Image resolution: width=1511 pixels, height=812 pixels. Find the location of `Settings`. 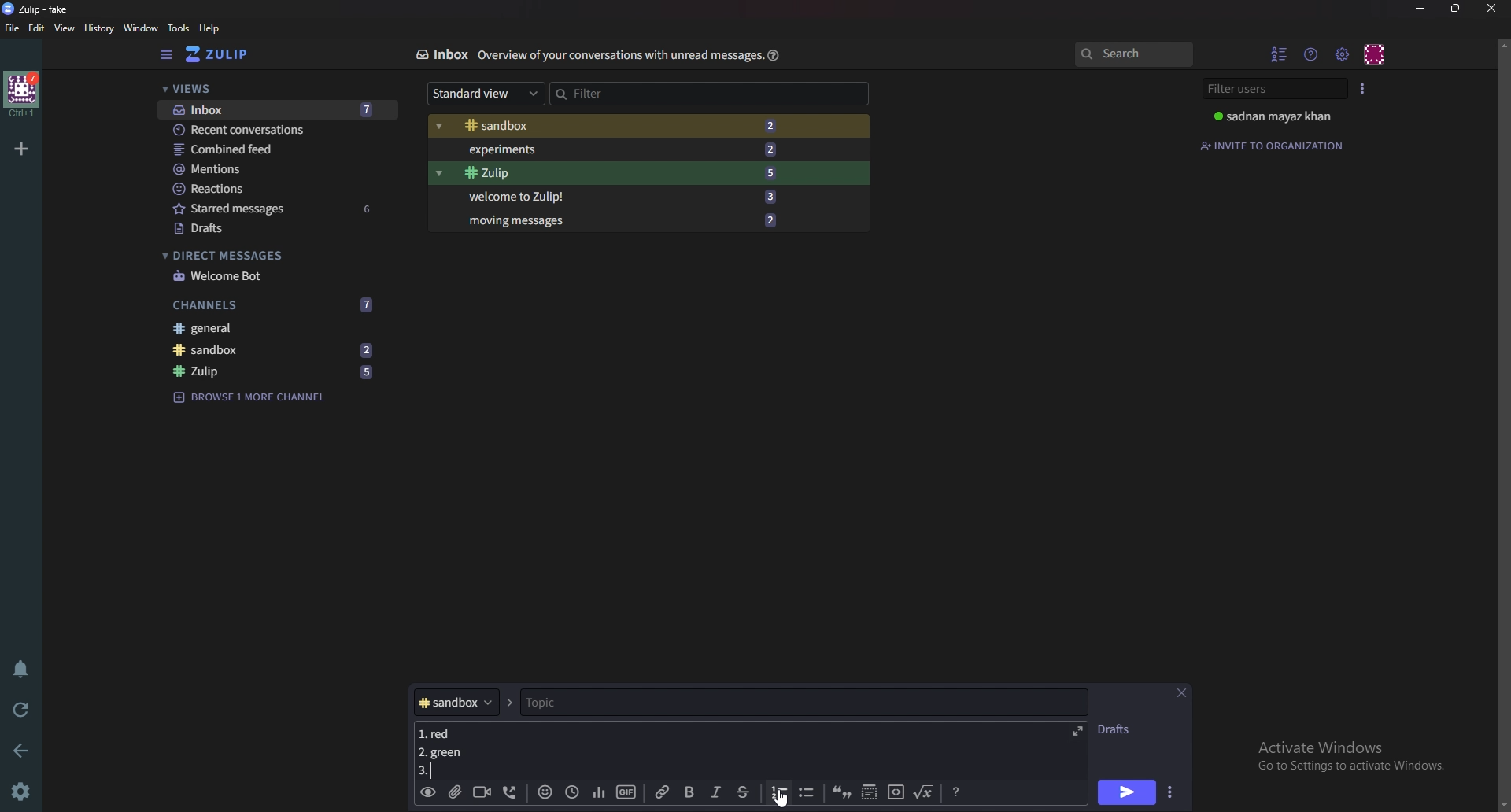

Settings is located at coordinates (24, 791).